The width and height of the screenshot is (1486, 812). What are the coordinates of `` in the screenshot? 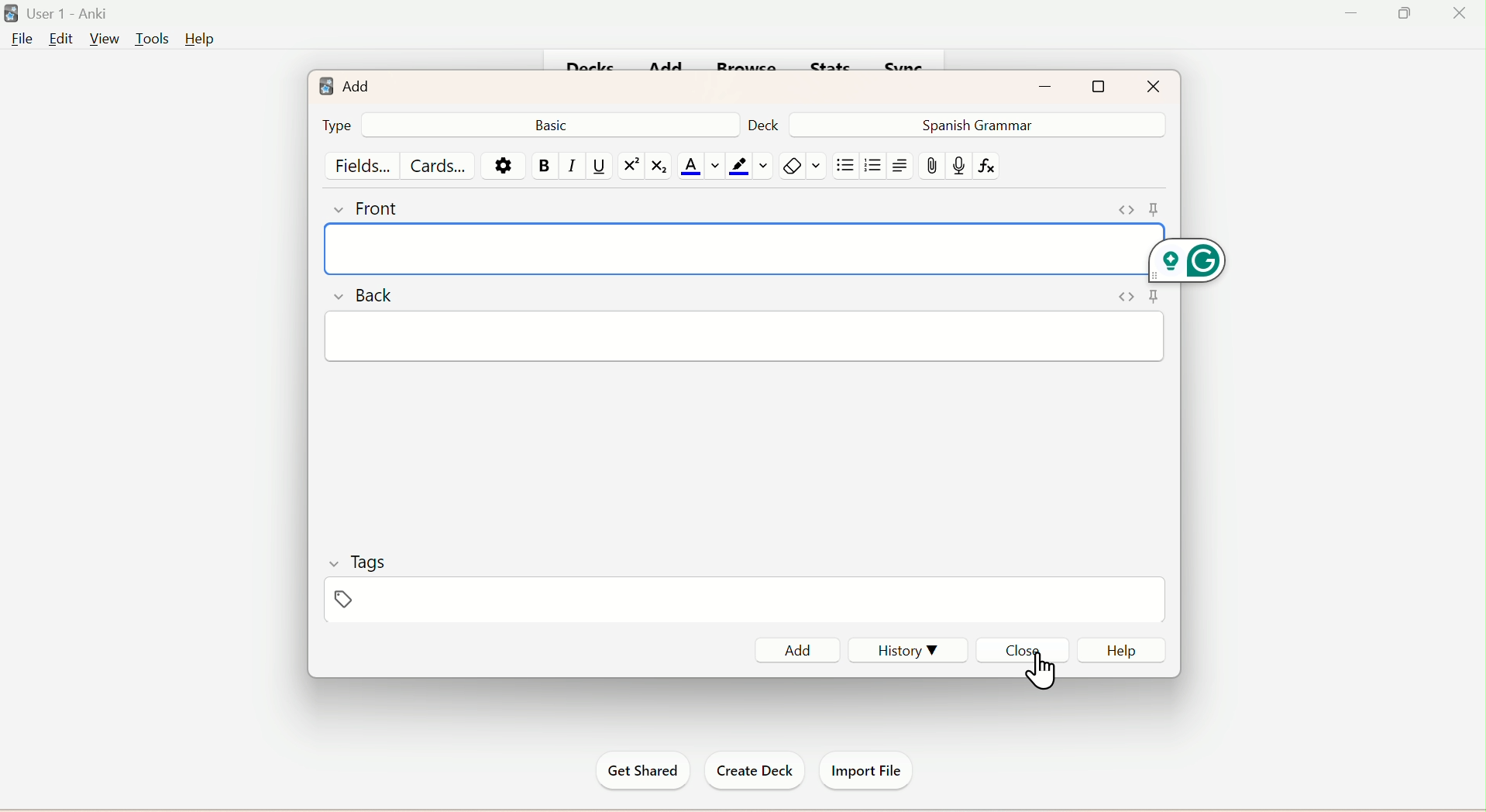 It's located at (362, 295).